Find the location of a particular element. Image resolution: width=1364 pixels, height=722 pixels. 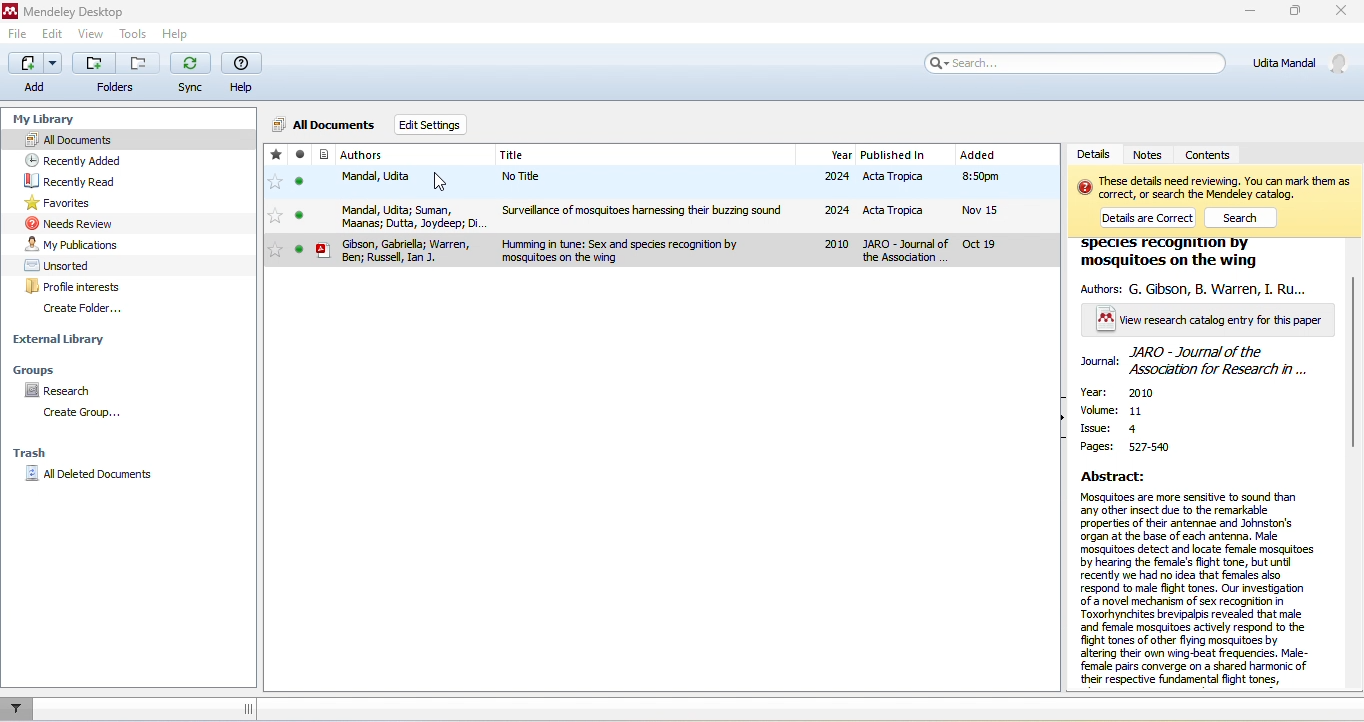

gbson,gabriela, warren,ben,russel,jan is located at coordinates (392, 249).